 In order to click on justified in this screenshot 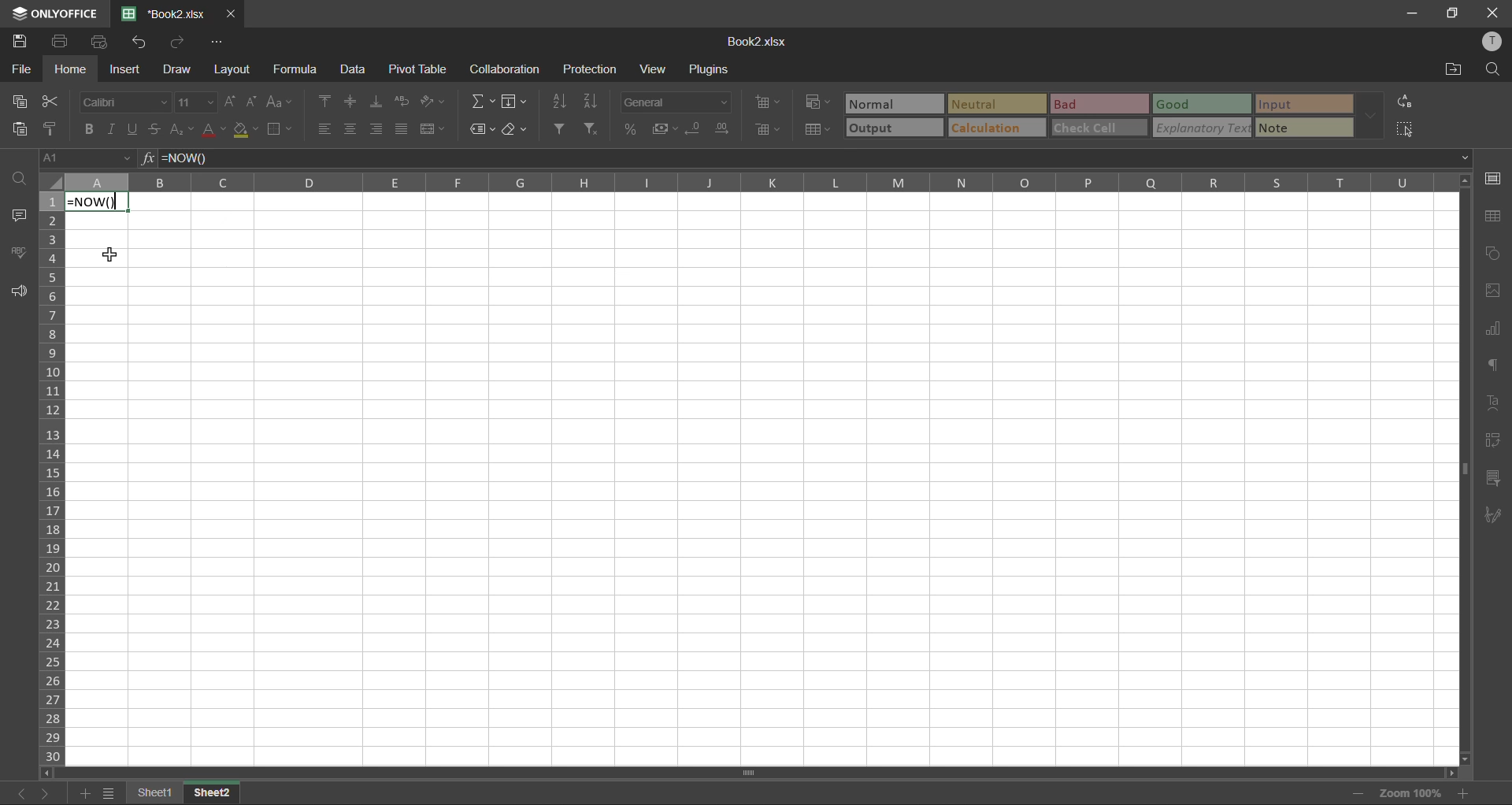, I will do `click(403, 128)`.